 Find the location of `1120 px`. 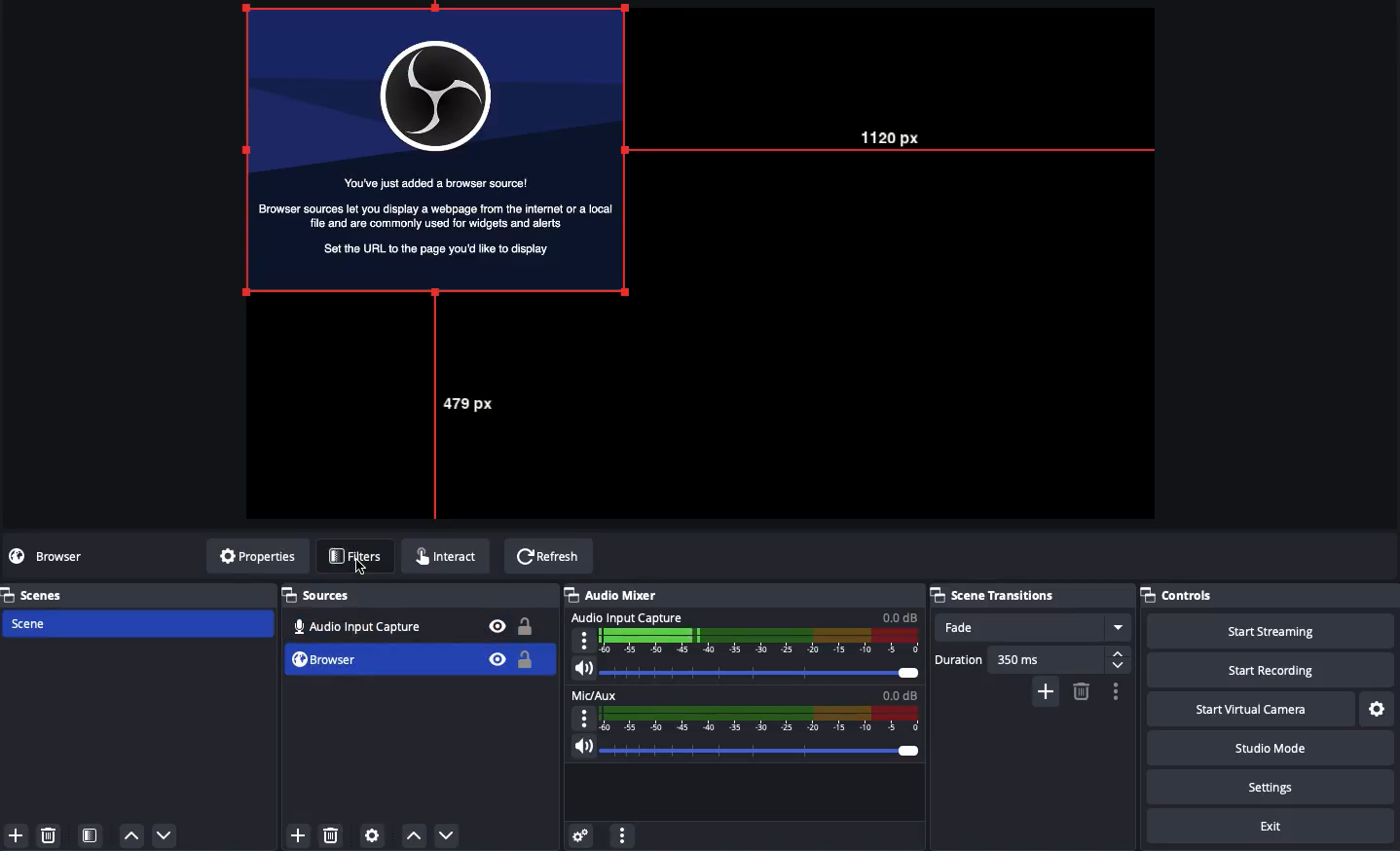

1120 px is located at coordinates (895, 144).